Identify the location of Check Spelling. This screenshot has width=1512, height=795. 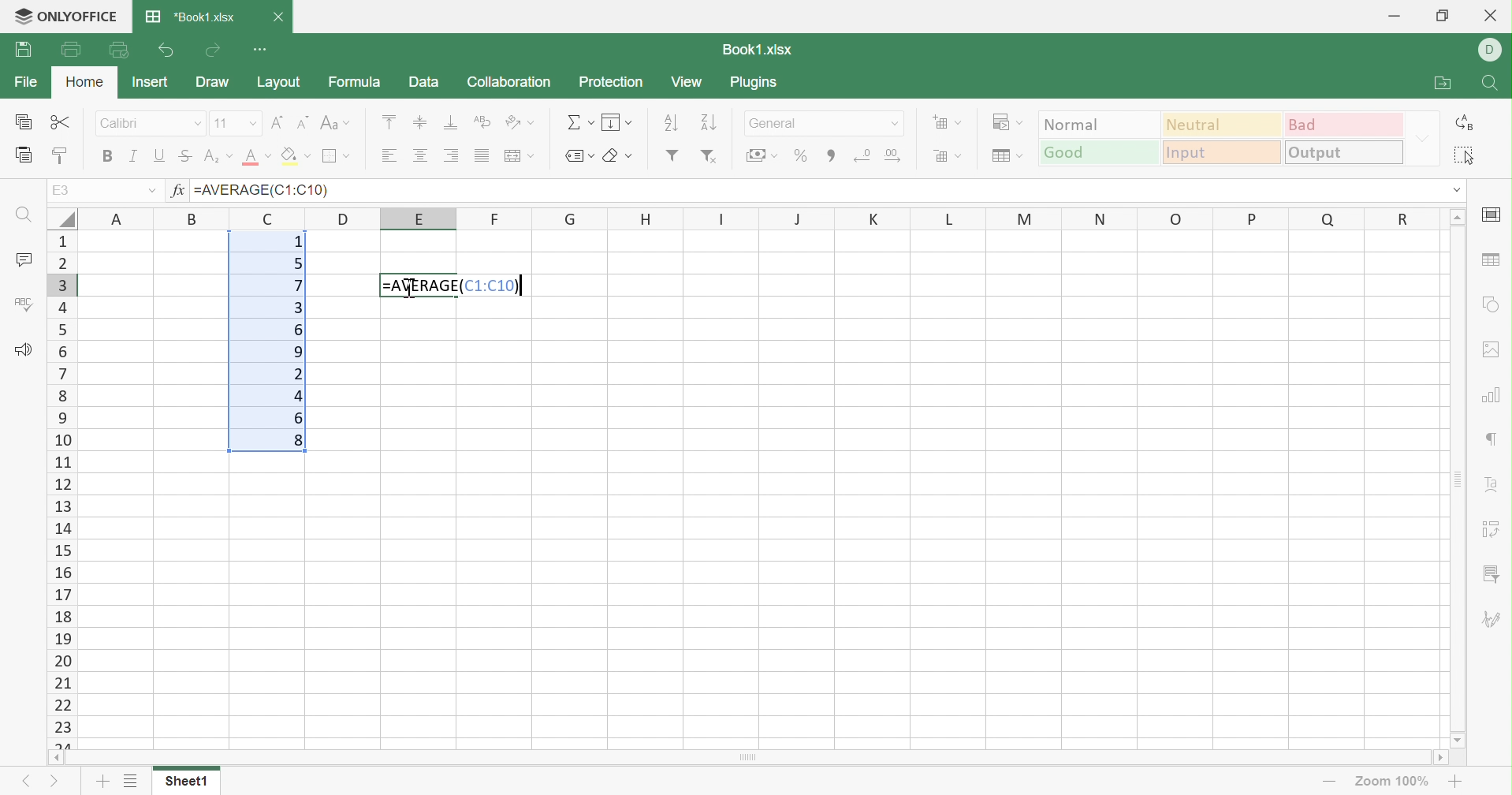
(23, 303).